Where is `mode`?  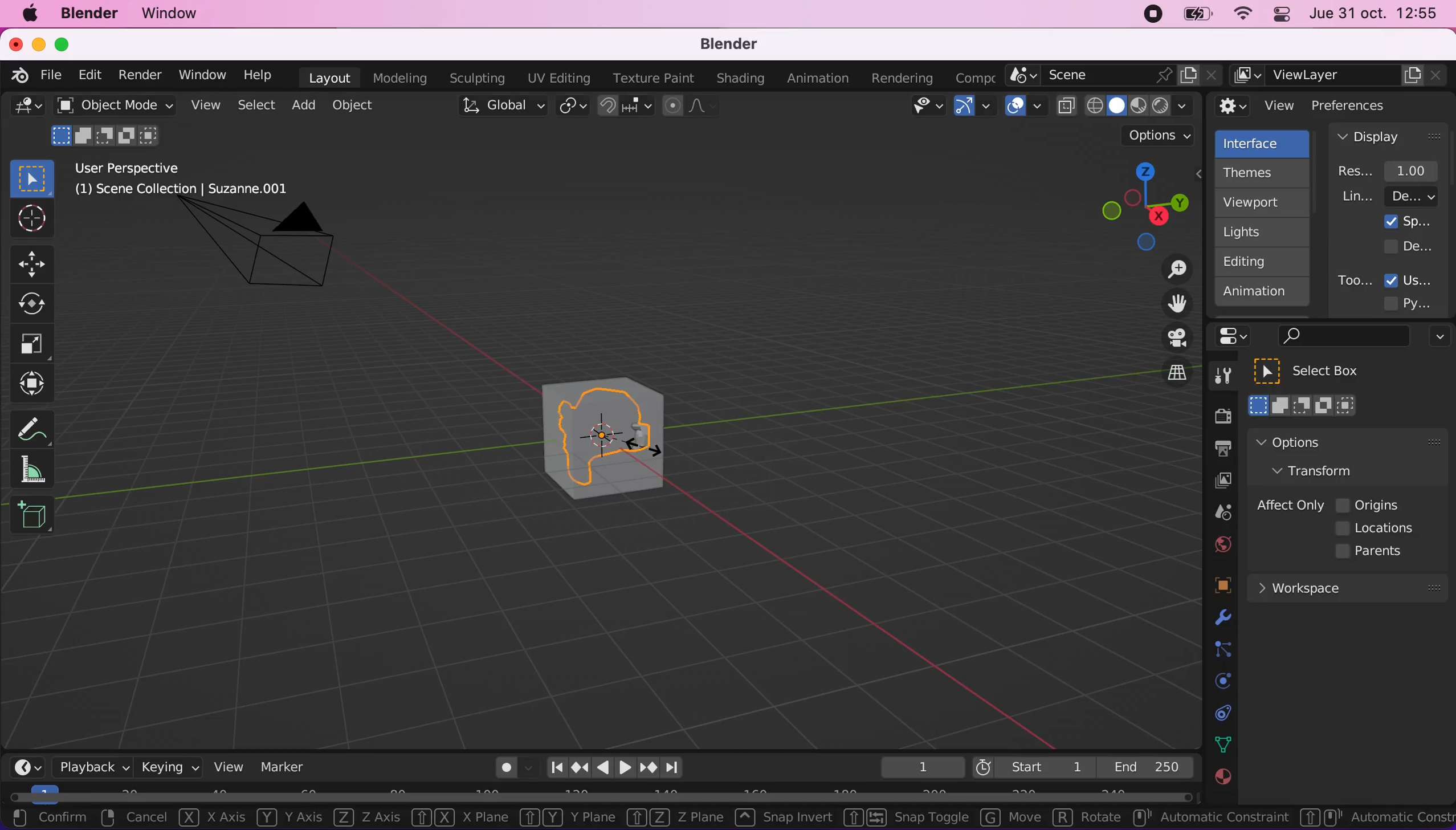
mode is located at coordinates (108, 134).